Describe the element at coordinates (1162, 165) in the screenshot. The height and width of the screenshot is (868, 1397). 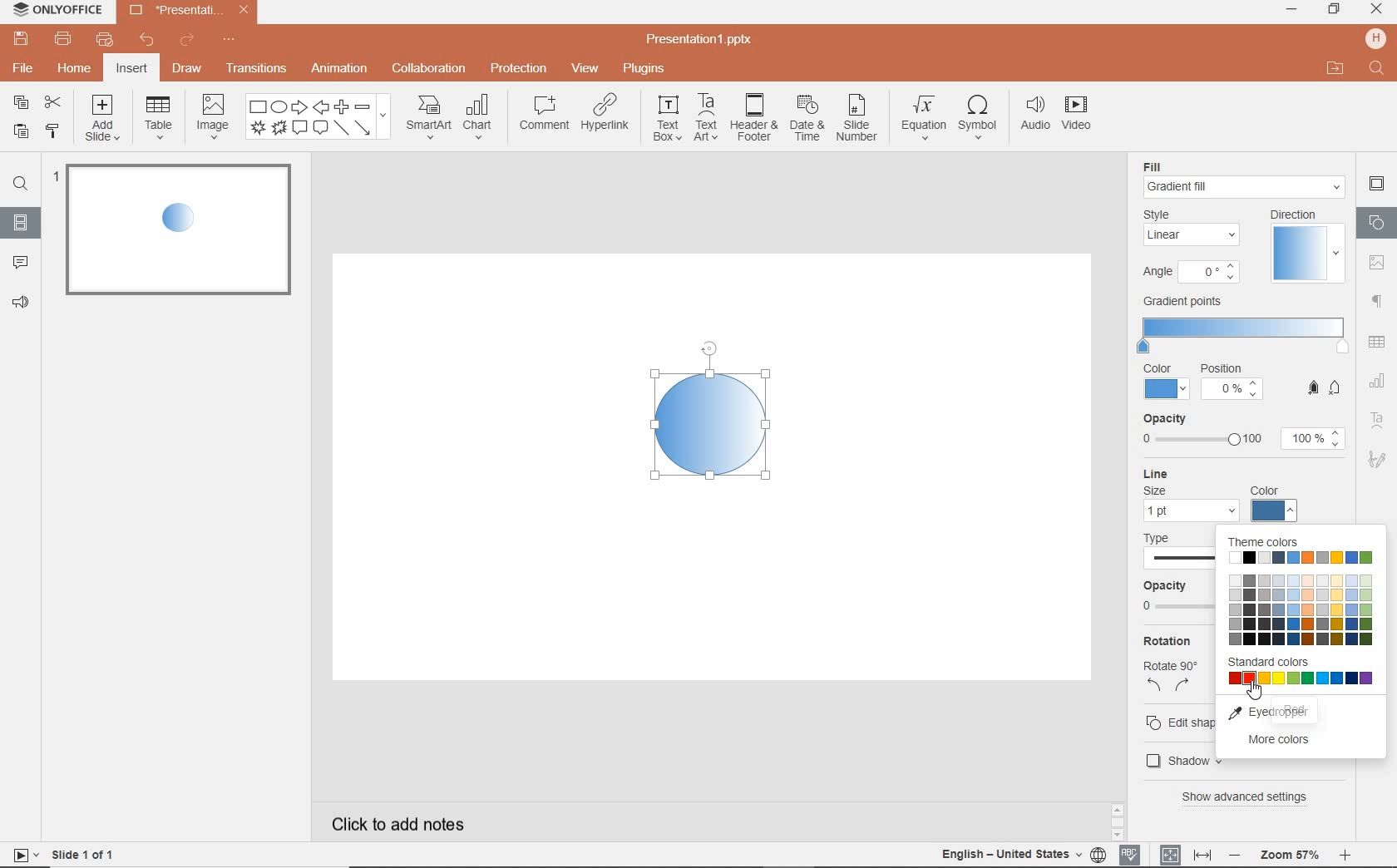
I see `fill` at that location.